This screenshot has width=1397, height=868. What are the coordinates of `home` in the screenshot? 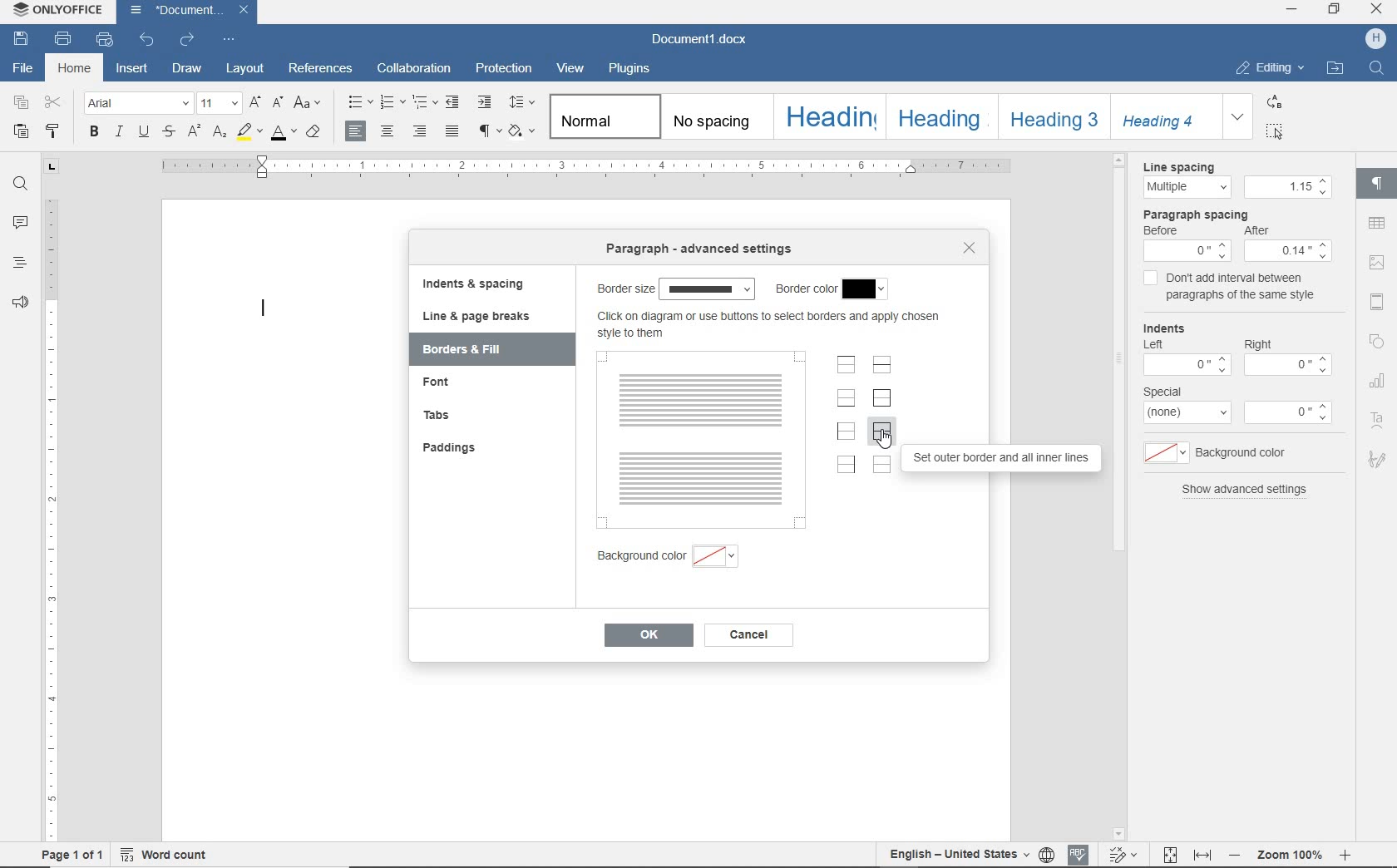 It's located at (77, 67).